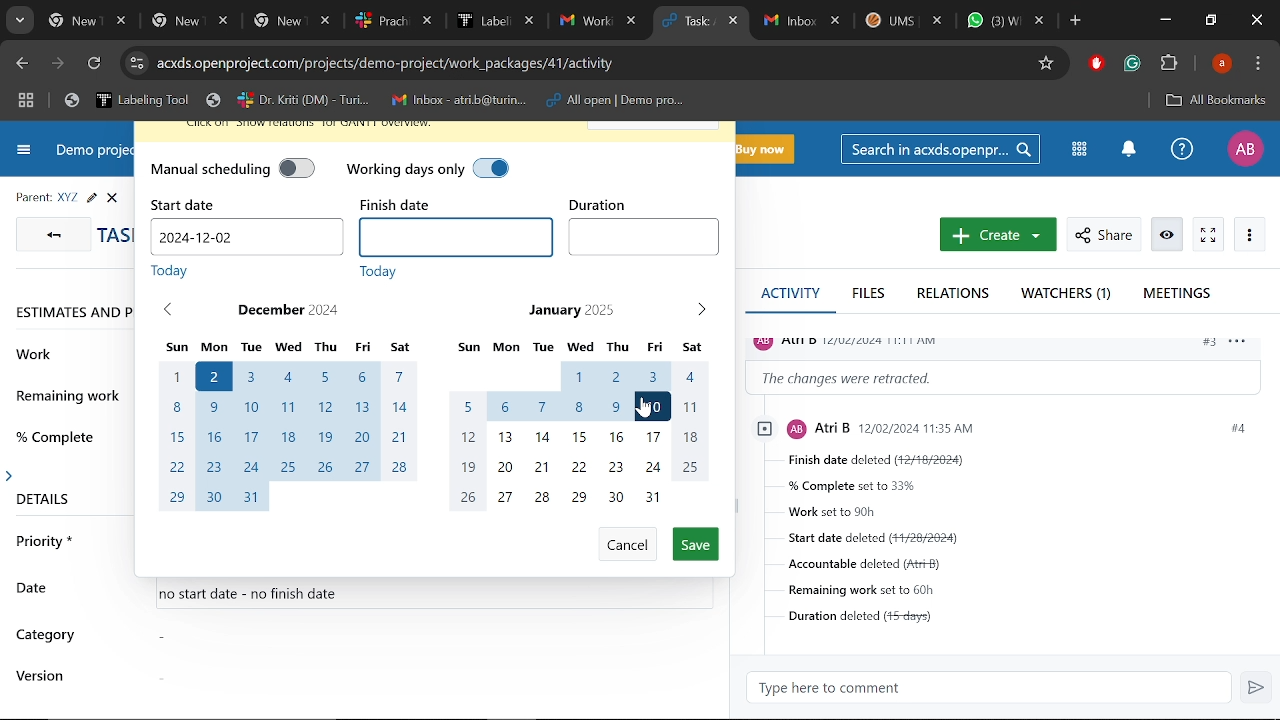  Describe the element at coordinates (604, 203) in the screenshot. I see `duration` at that location.